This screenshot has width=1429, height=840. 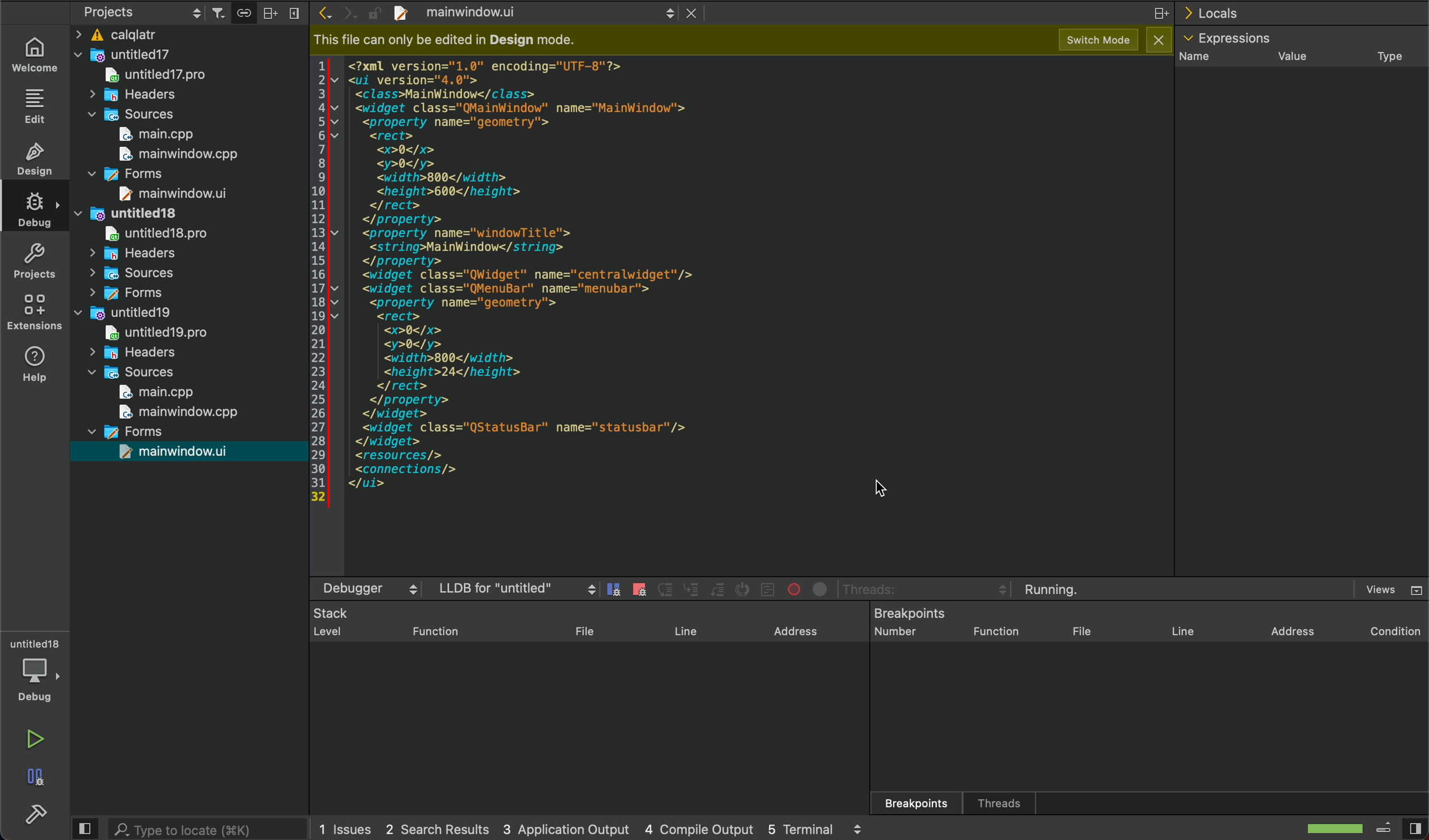 What do you see at coordinates (39, 738) in the screenshot?
I see `run` at bounding box center [39, 738].